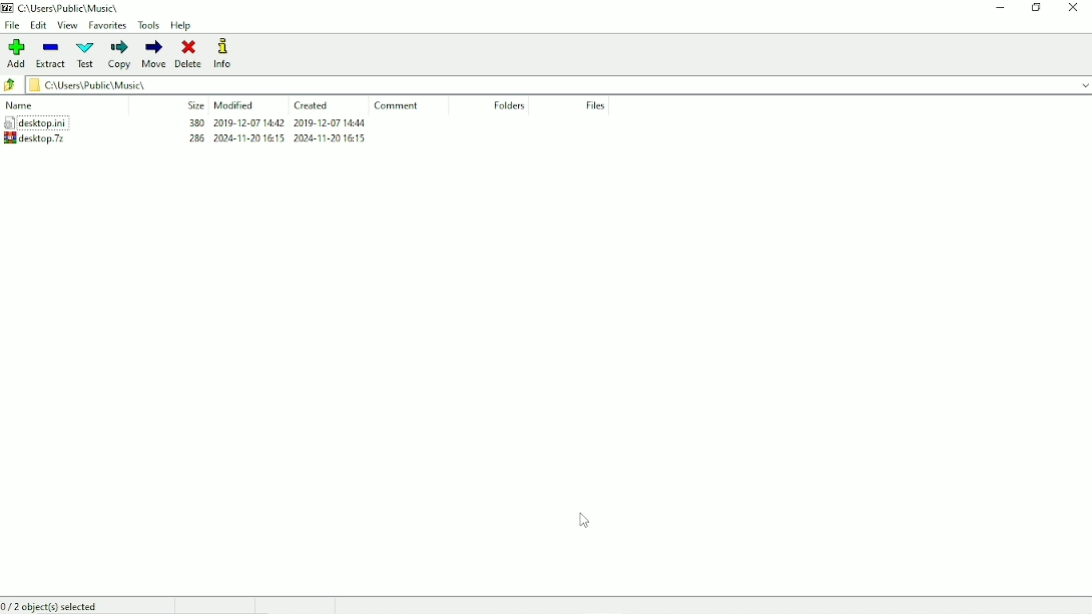 The width and height of the screenshot is (1092, 614). What do you see at coordinates (149, 26) in the screenshot?
I see `Tools` at bounding box center [149, 26].